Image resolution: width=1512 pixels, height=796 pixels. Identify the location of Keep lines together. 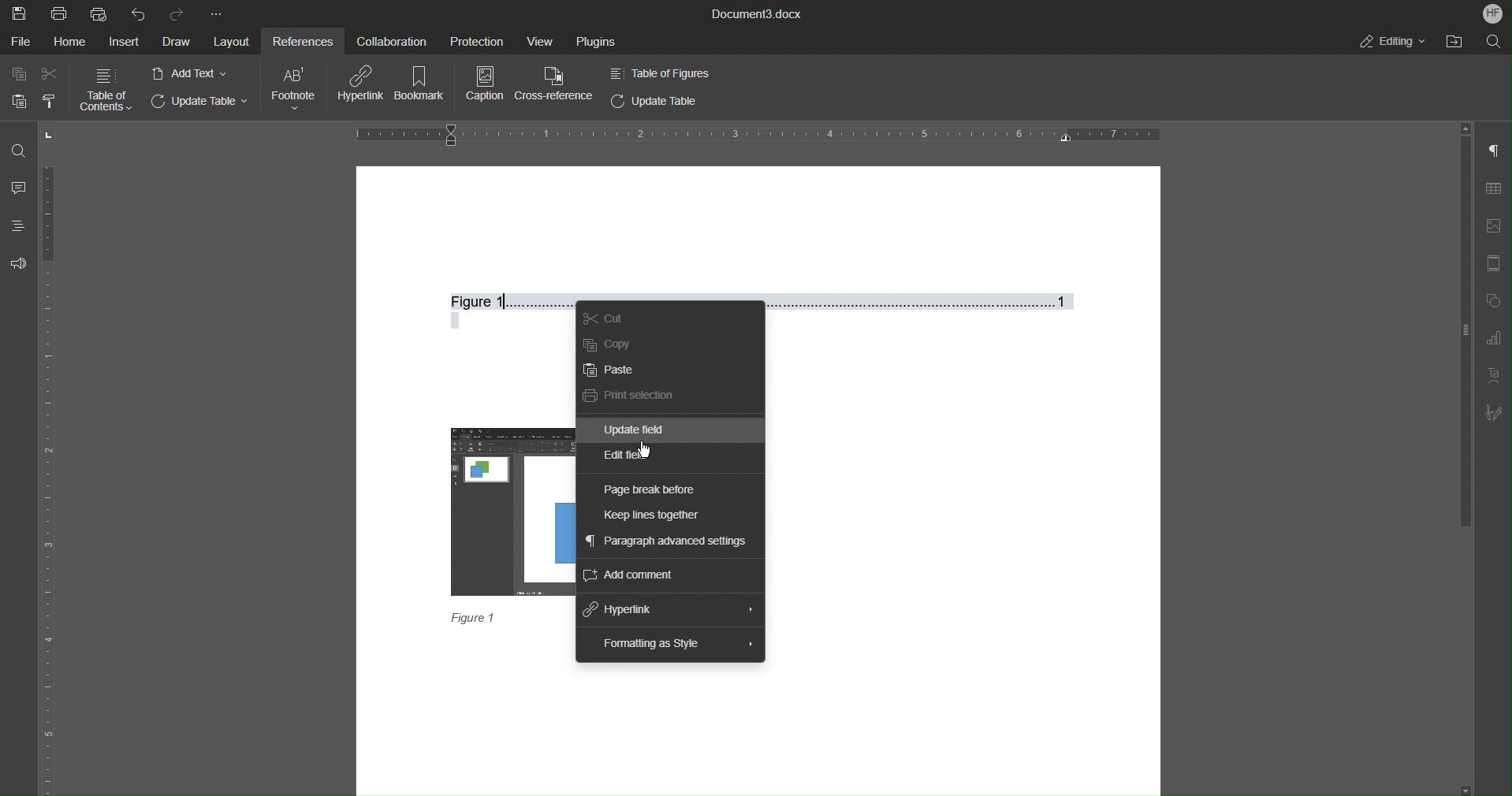
(653, 516).